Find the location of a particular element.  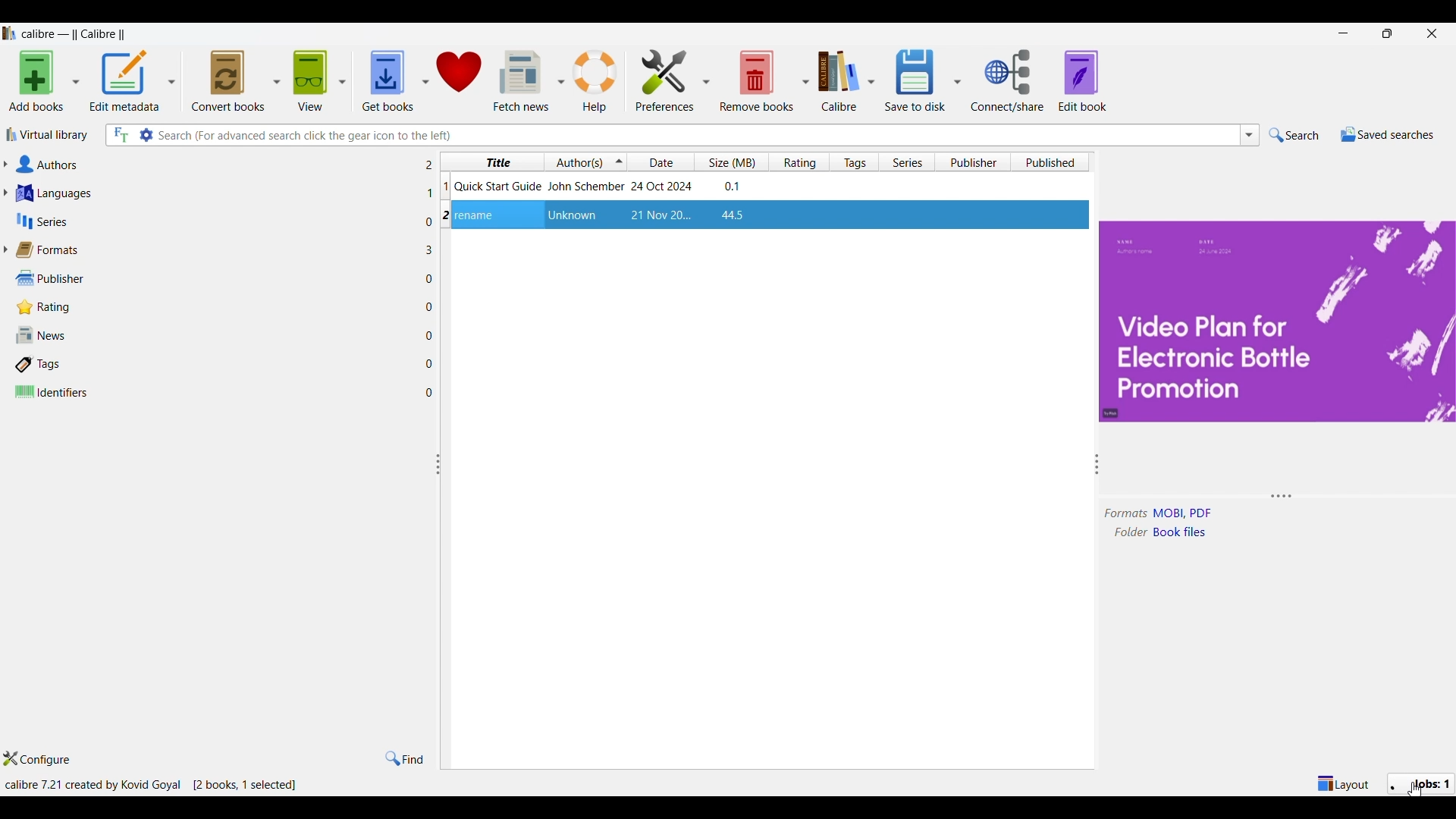

Preferences is located at coordinates (665, 80).